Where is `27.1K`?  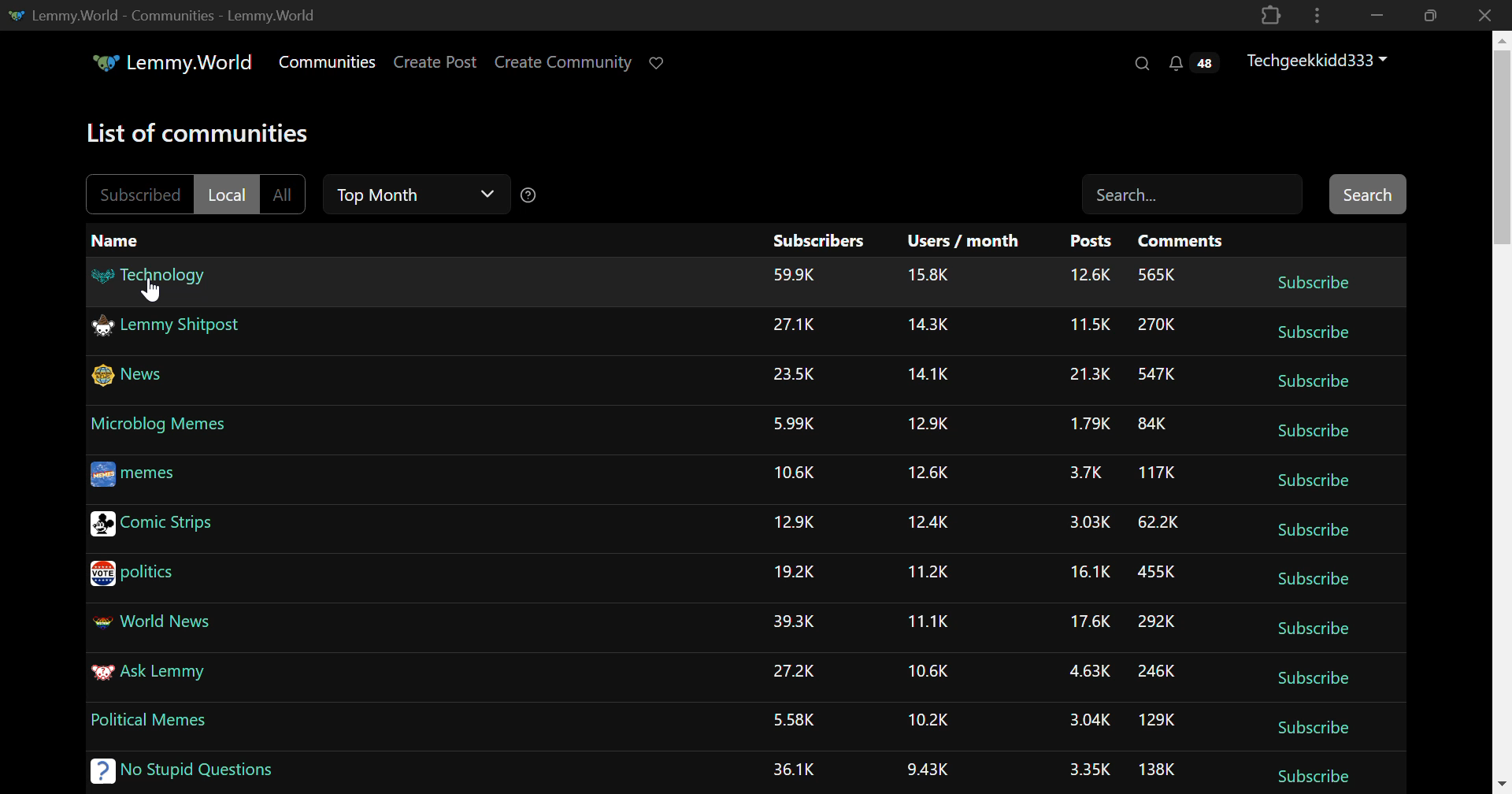
27.1K is located at coordinates (792, 325).